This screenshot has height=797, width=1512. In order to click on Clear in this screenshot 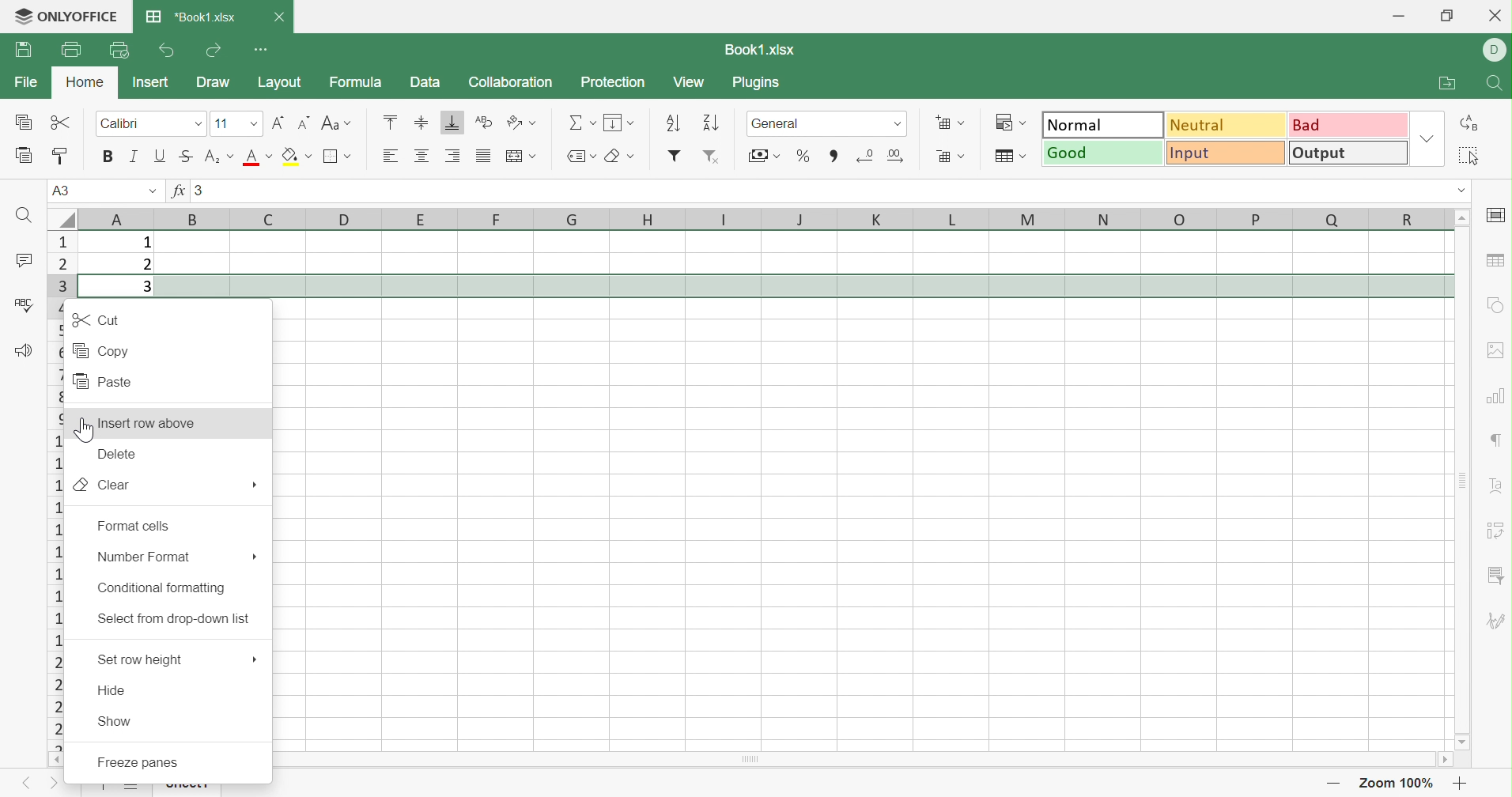, I will do `click(105, 485)`.